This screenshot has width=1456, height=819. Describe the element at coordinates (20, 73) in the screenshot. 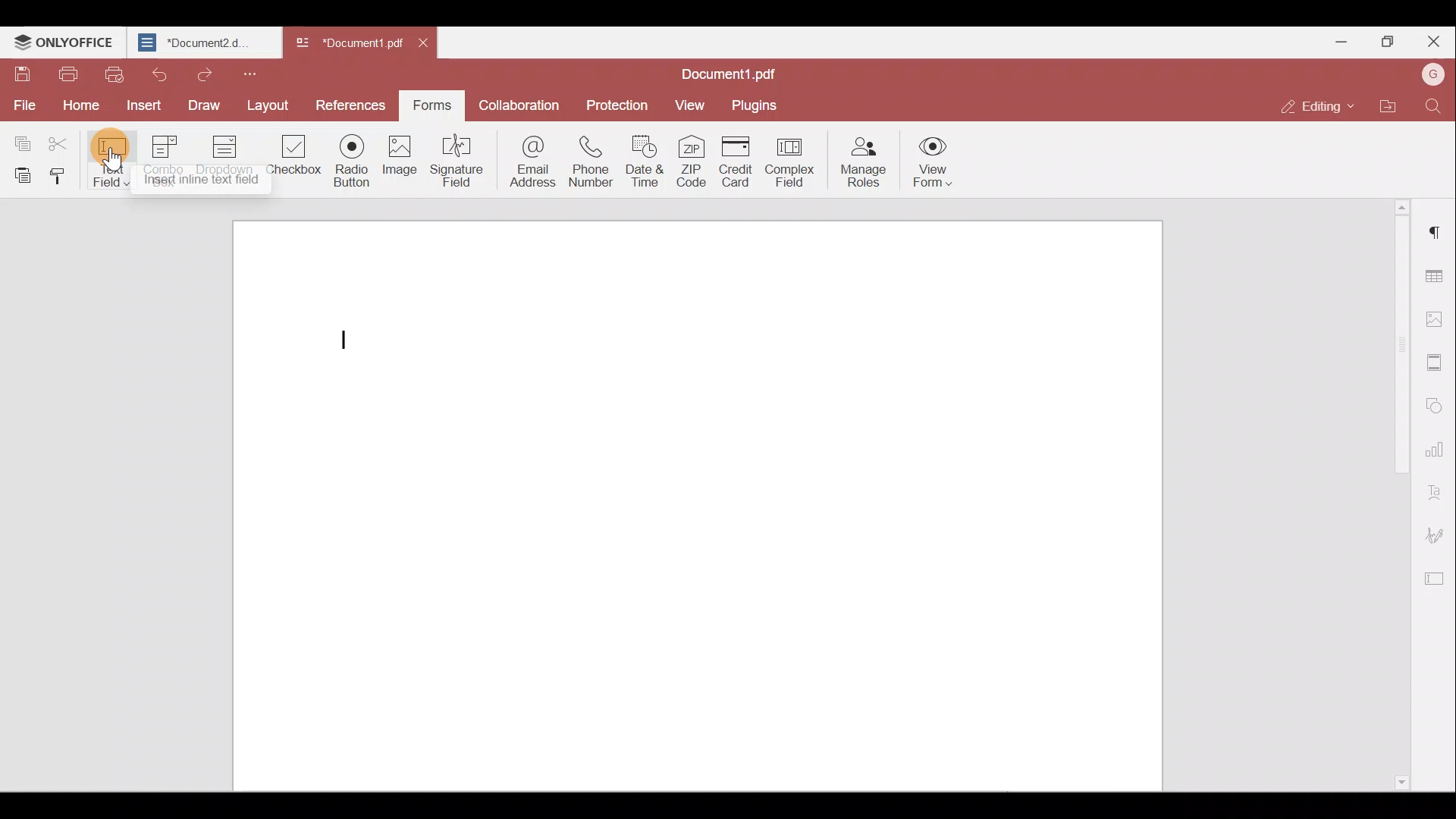

I see `Save` at that location.